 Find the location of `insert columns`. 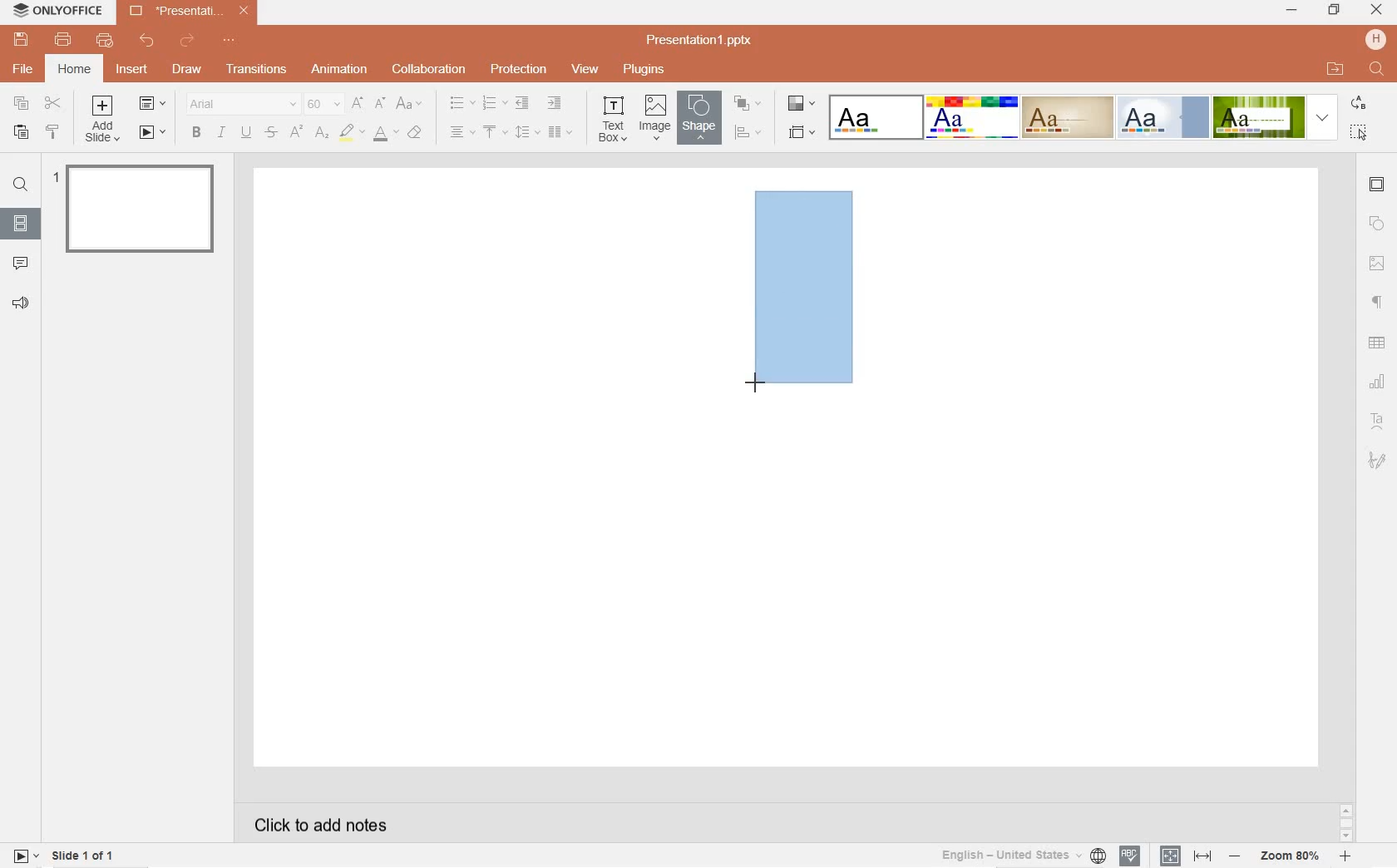

insert columns is located at coordinates (560, 131).